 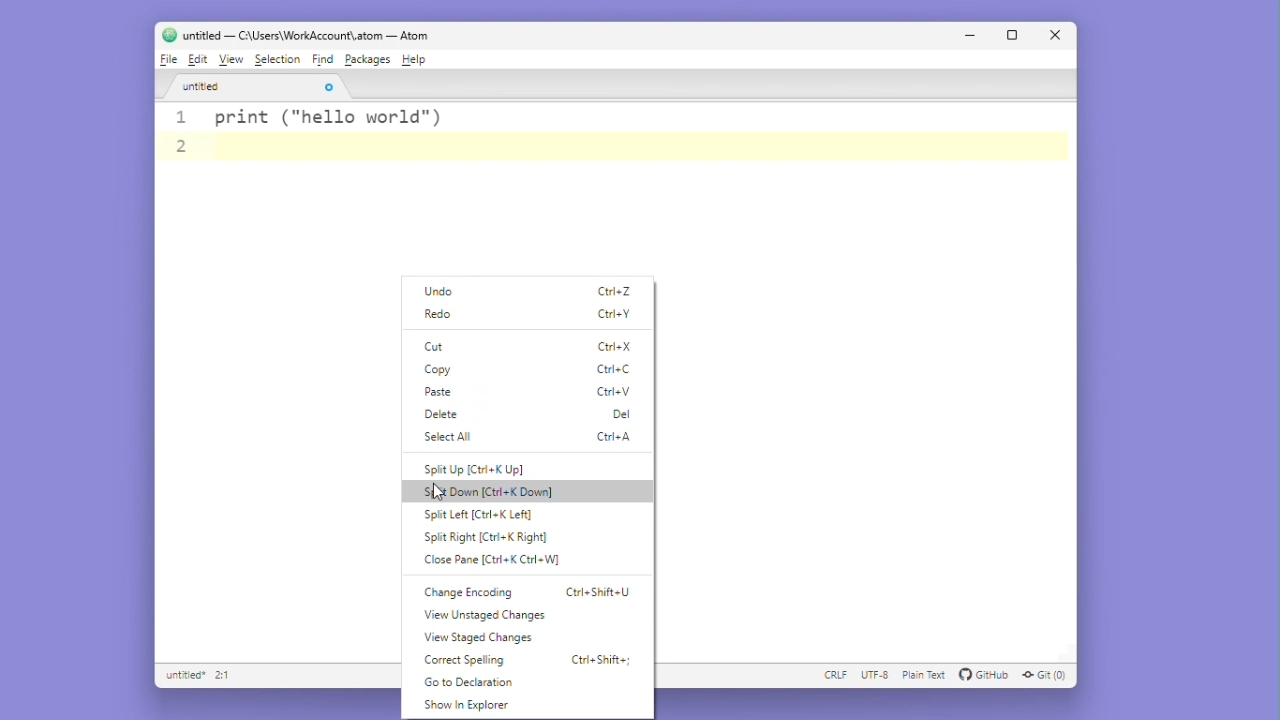 What do you see at coordinates (925, 676) in the screenshot?
I see `plain text` at bounding box center [925, 676].